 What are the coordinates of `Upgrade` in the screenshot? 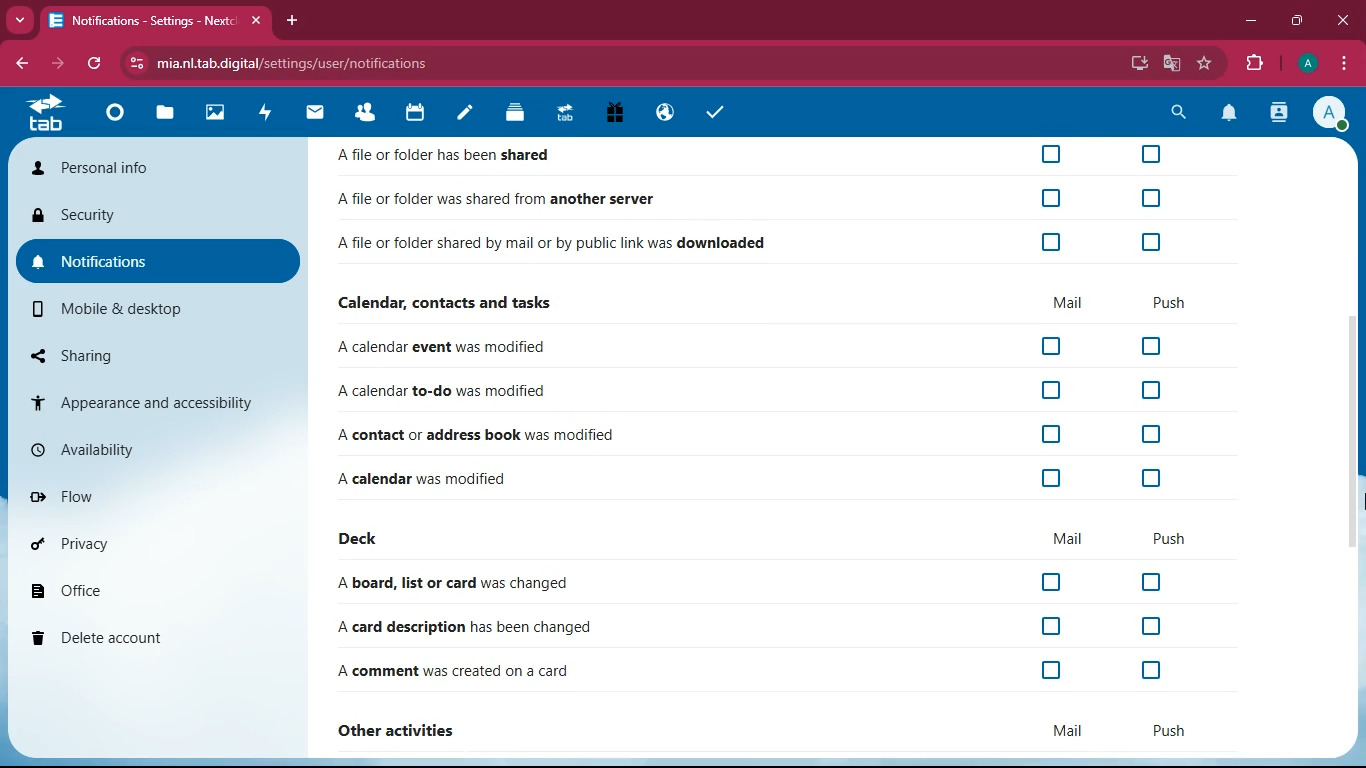 It's located at (566, 115).